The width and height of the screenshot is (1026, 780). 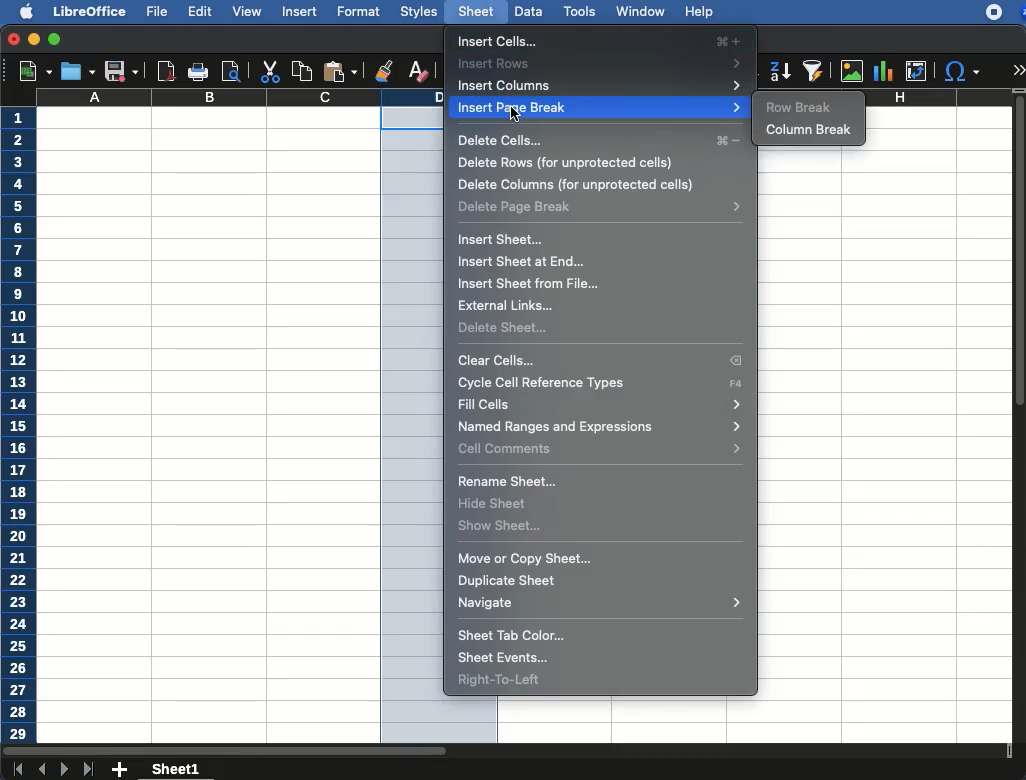 What do you see at coordinates (413, 426) in the screenshot?
I see `column selected` at bounding box center [413, 426].